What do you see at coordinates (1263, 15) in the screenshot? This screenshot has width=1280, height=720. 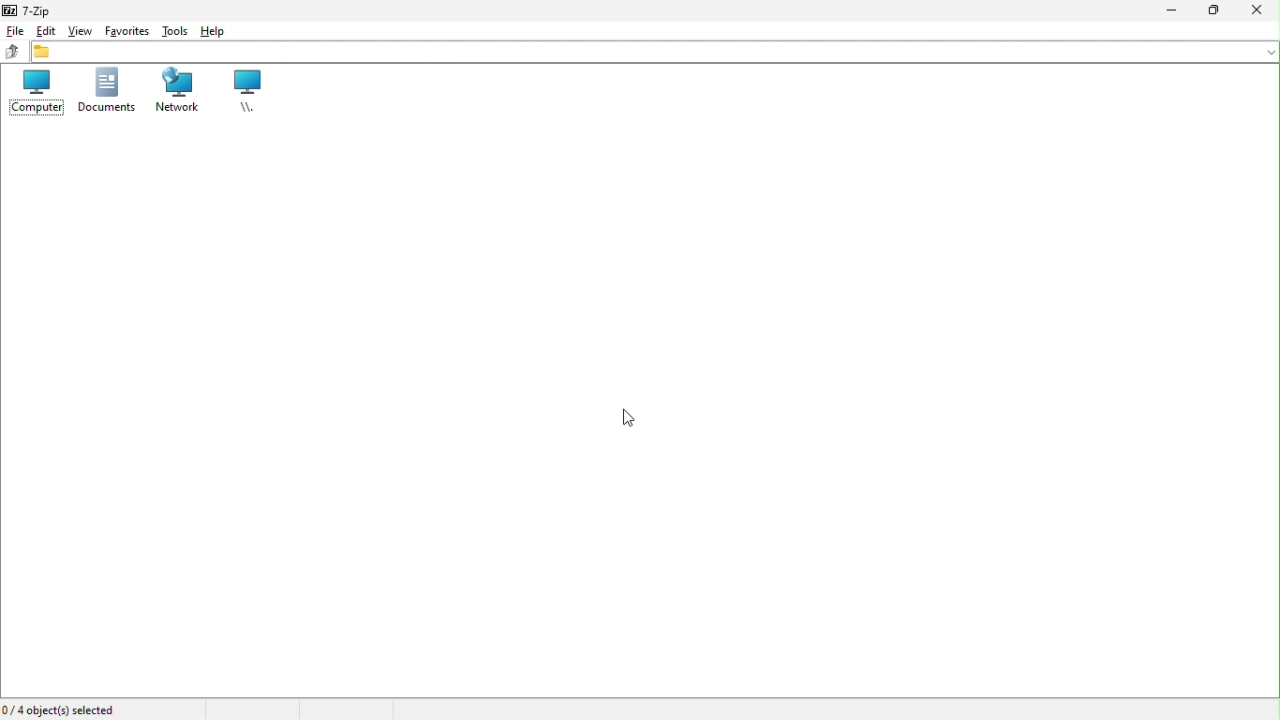 I see `Close` at bounding box center [1263, 15].